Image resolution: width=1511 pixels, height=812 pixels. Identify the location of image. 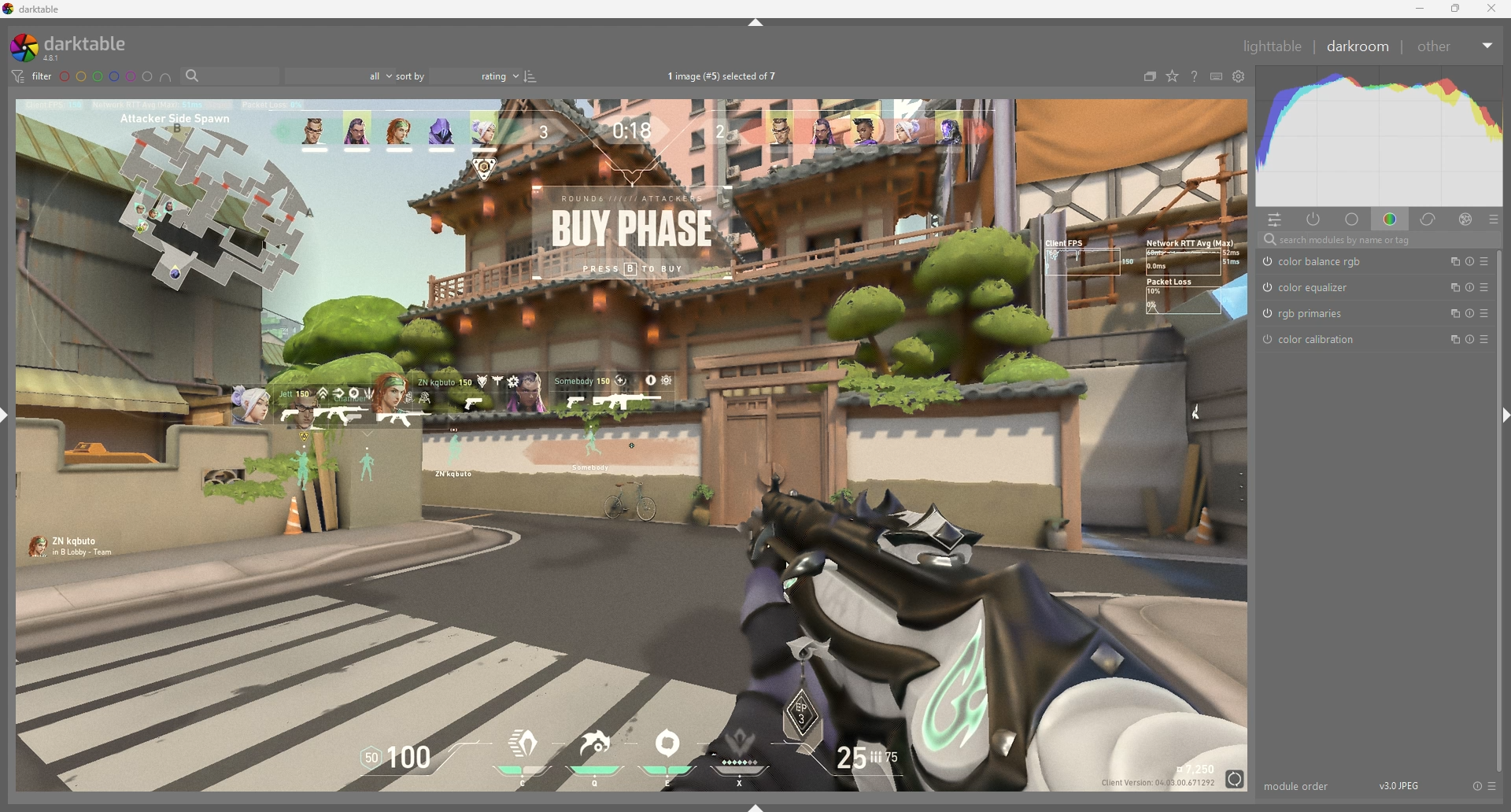
(631, 446).